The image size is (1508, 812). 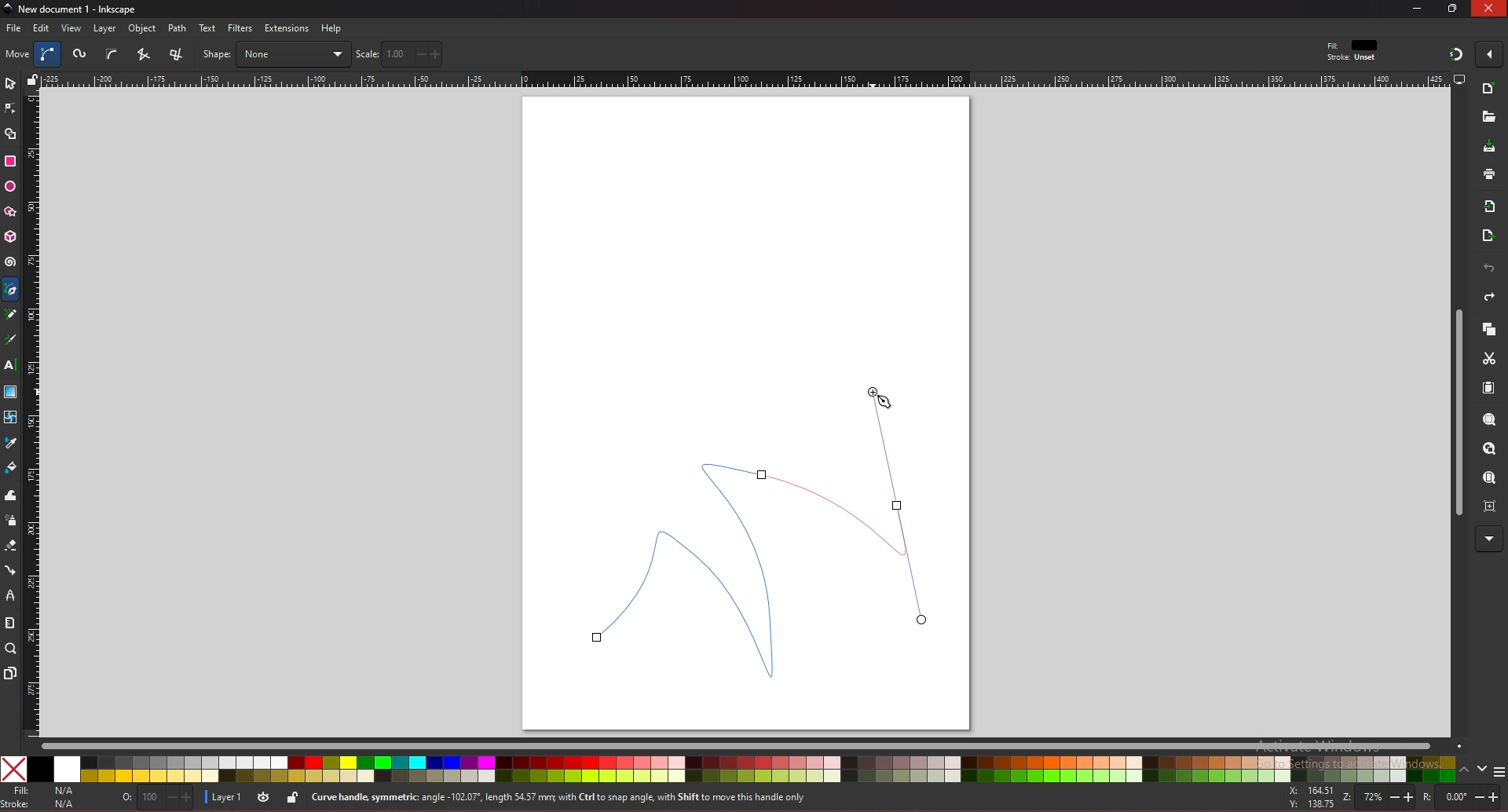 I want to click on new, so click(x=1489, y=90).